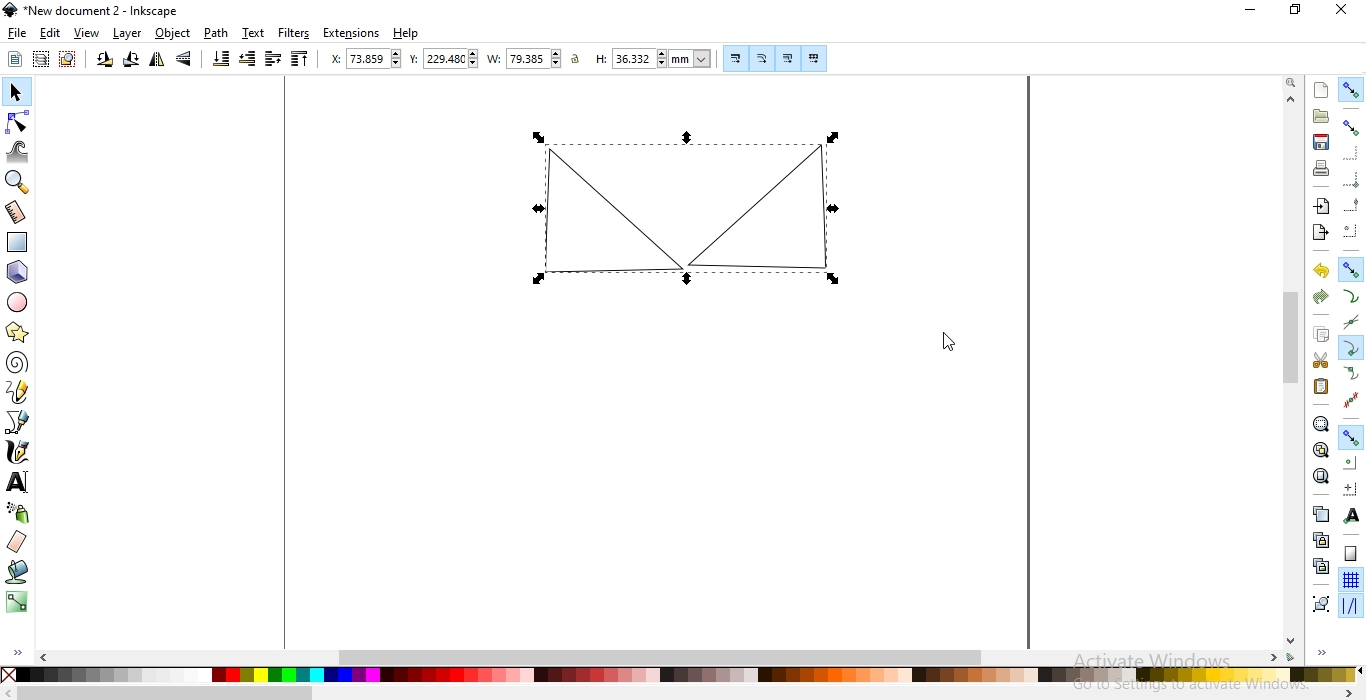  I want to click on colors, so click(681, 676).